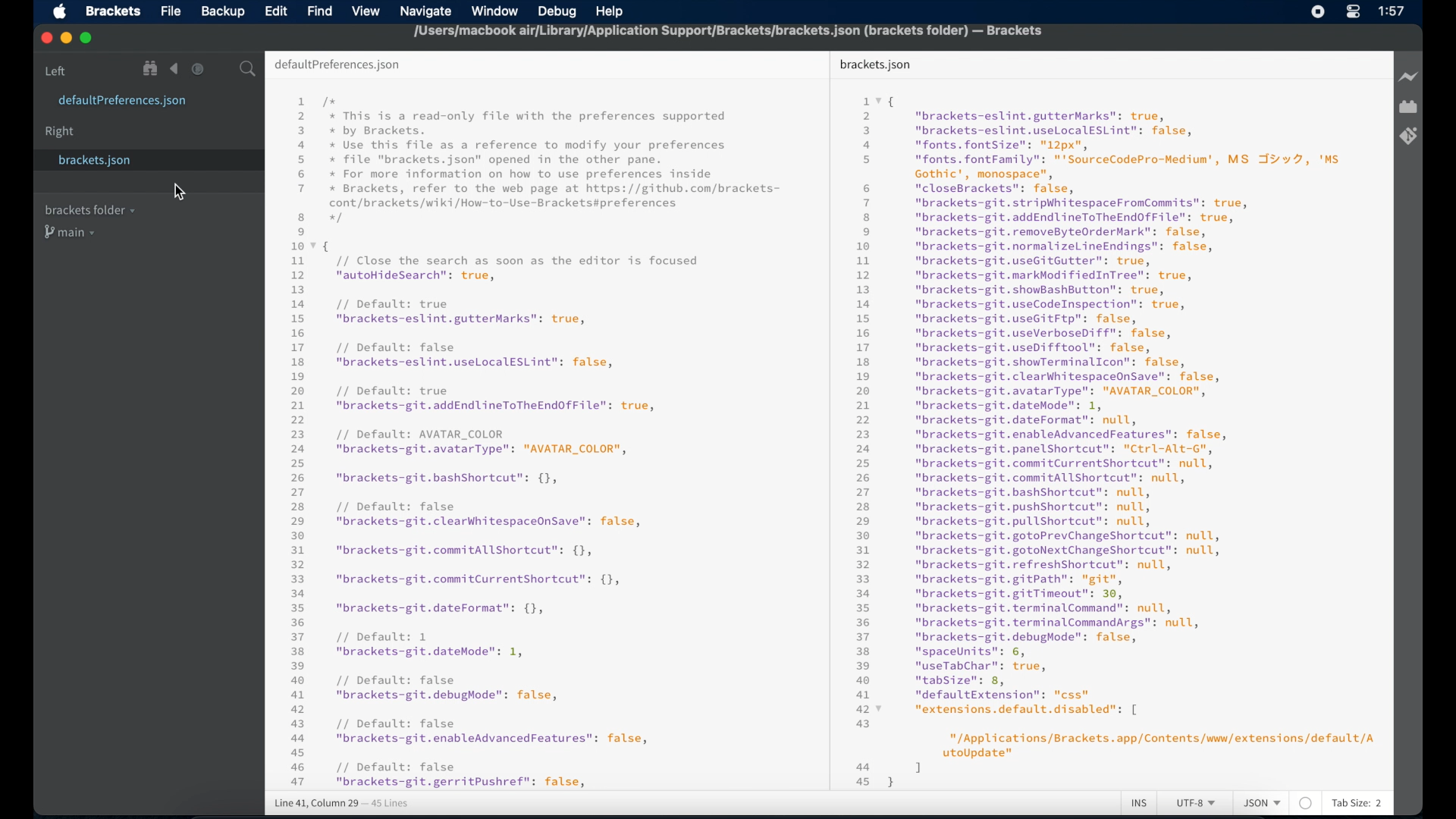 The height and width of the screenshot is (819, 1456). I want to click on show file in tree, so click(151, 69).